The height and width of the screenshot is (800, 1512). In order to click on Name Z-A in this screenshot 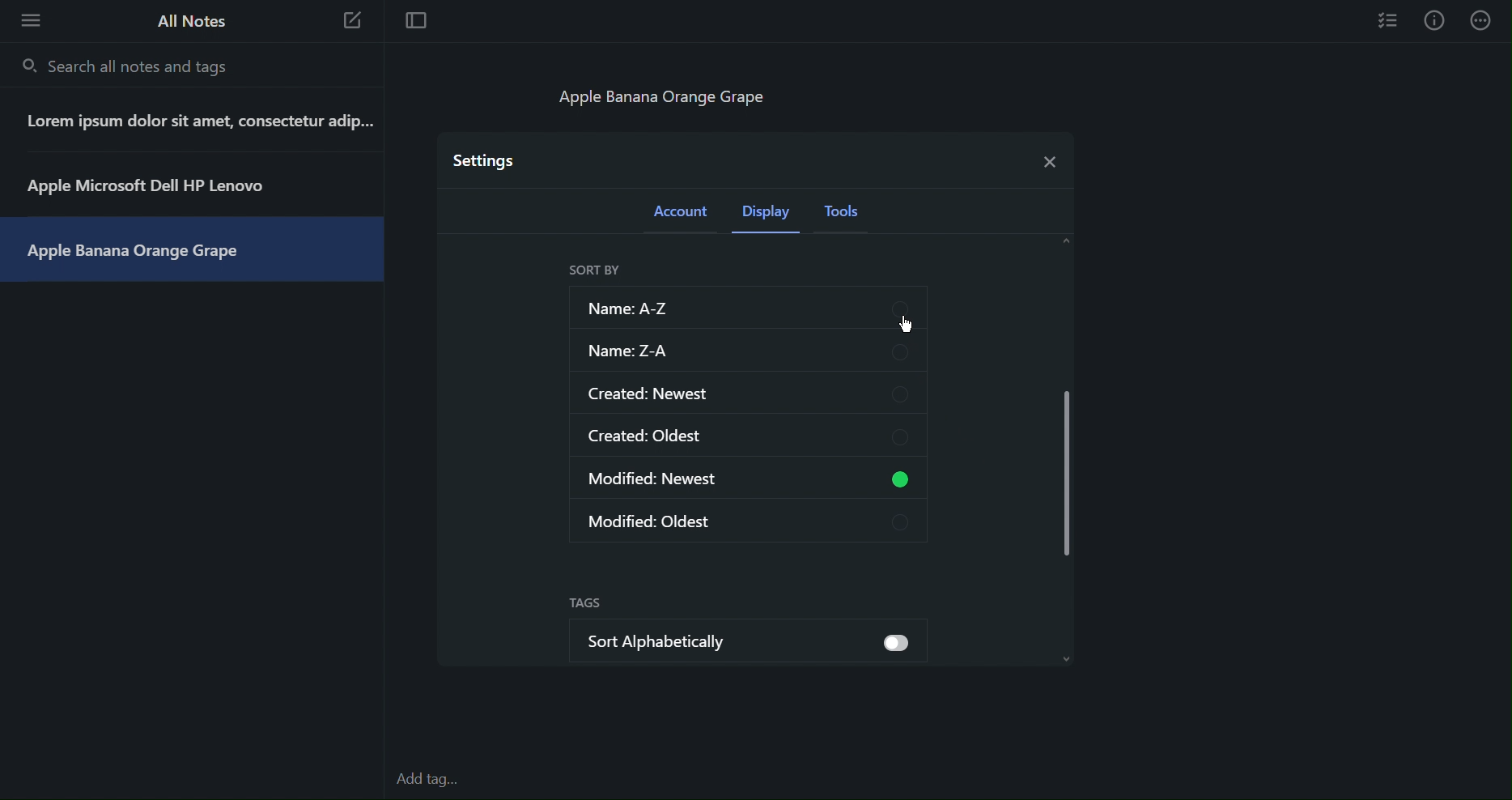, I will do `click(747, 351)`.